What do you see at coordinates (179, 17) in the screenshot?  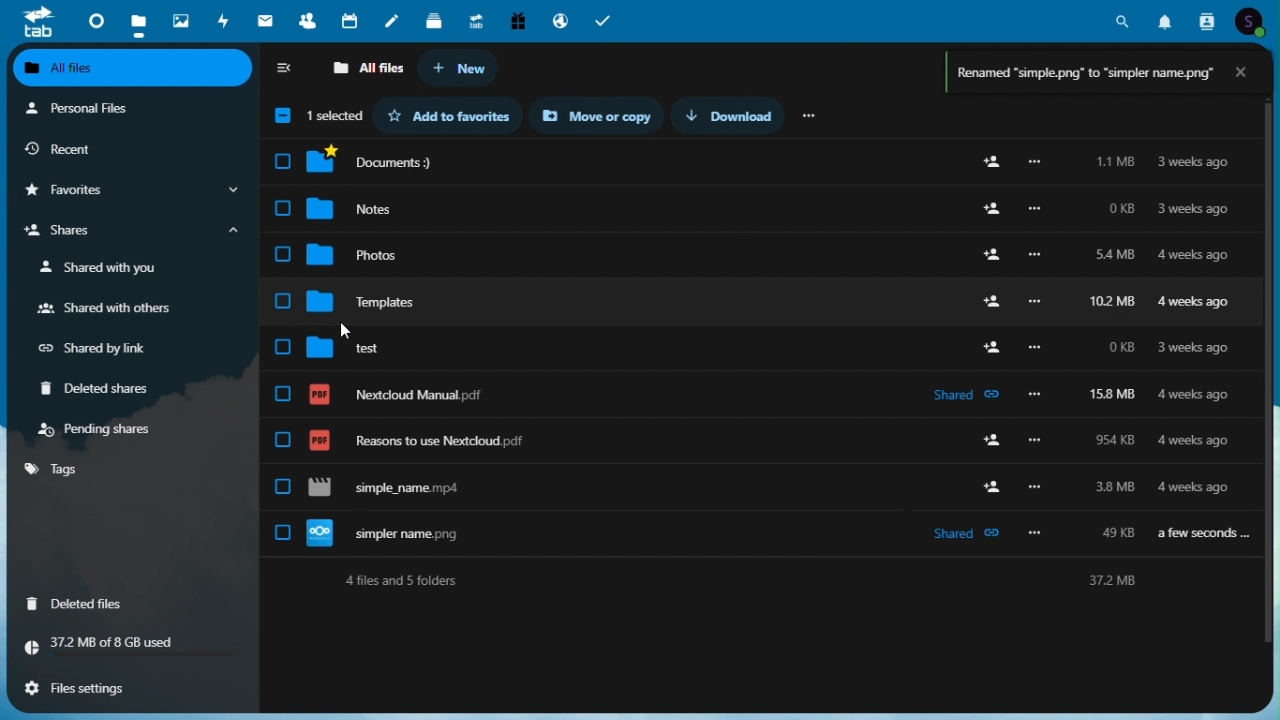 I see `photos` at bounding box center [179, 17].